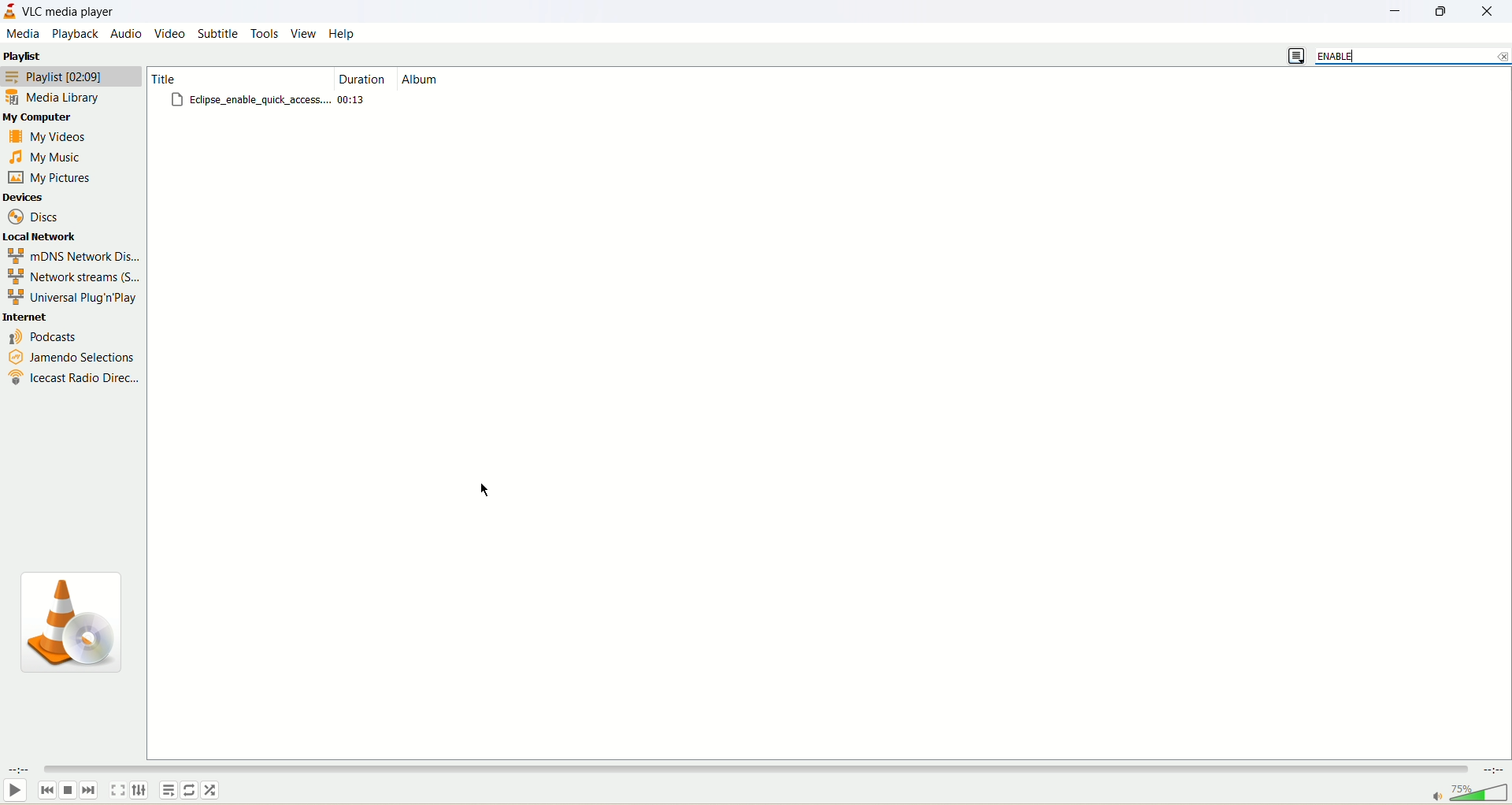 The height and width of the screenshot is (805, 1512). I want to click on album, so click(421, 78).